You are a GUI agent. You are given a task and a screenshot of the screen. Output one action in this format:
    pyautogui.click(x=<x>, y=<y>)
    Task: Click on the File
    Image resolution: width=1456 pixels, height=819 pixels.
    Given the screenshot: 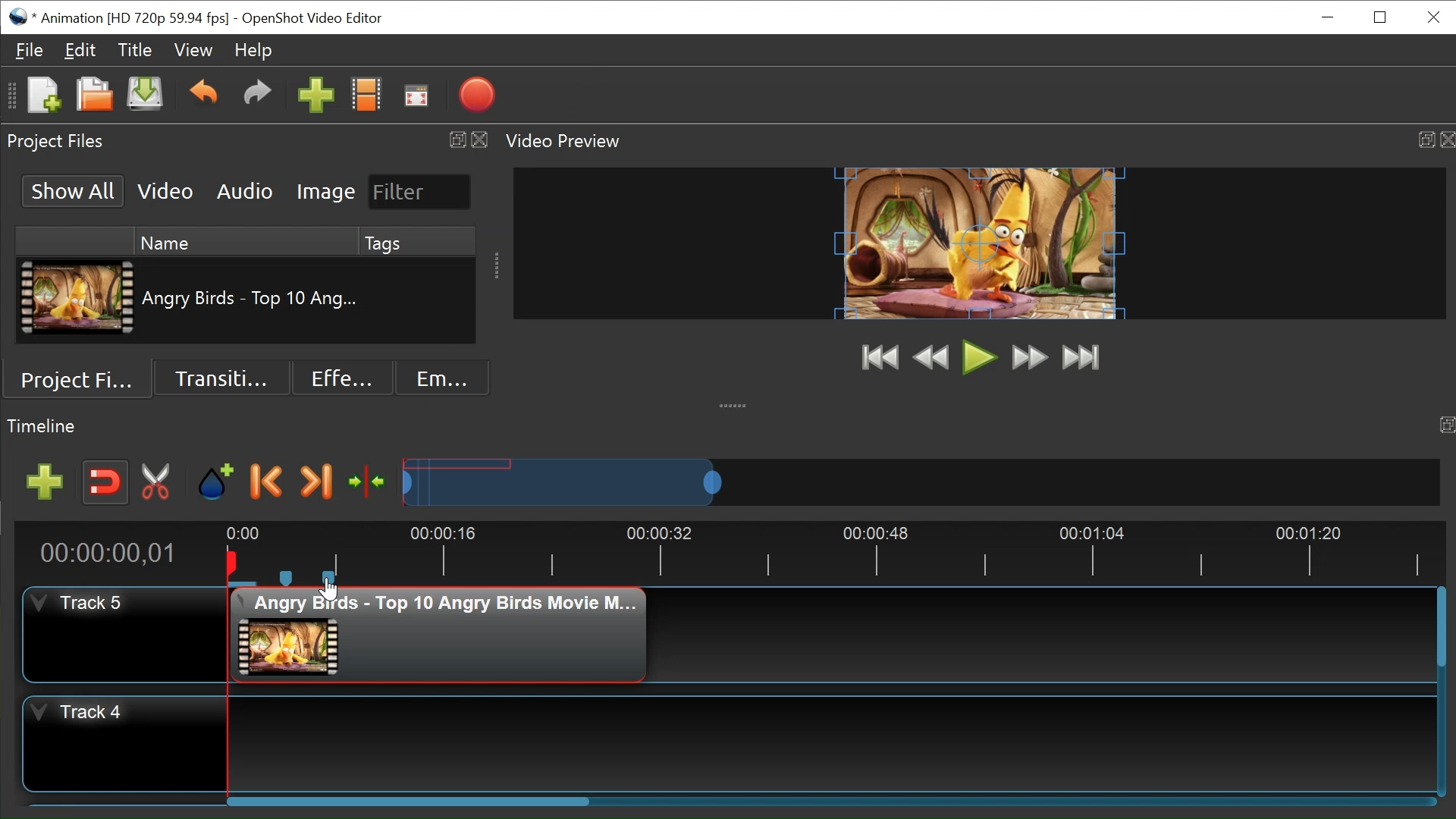 What is the action you would take?
    pyautogui.click(x=31, y=51)
    